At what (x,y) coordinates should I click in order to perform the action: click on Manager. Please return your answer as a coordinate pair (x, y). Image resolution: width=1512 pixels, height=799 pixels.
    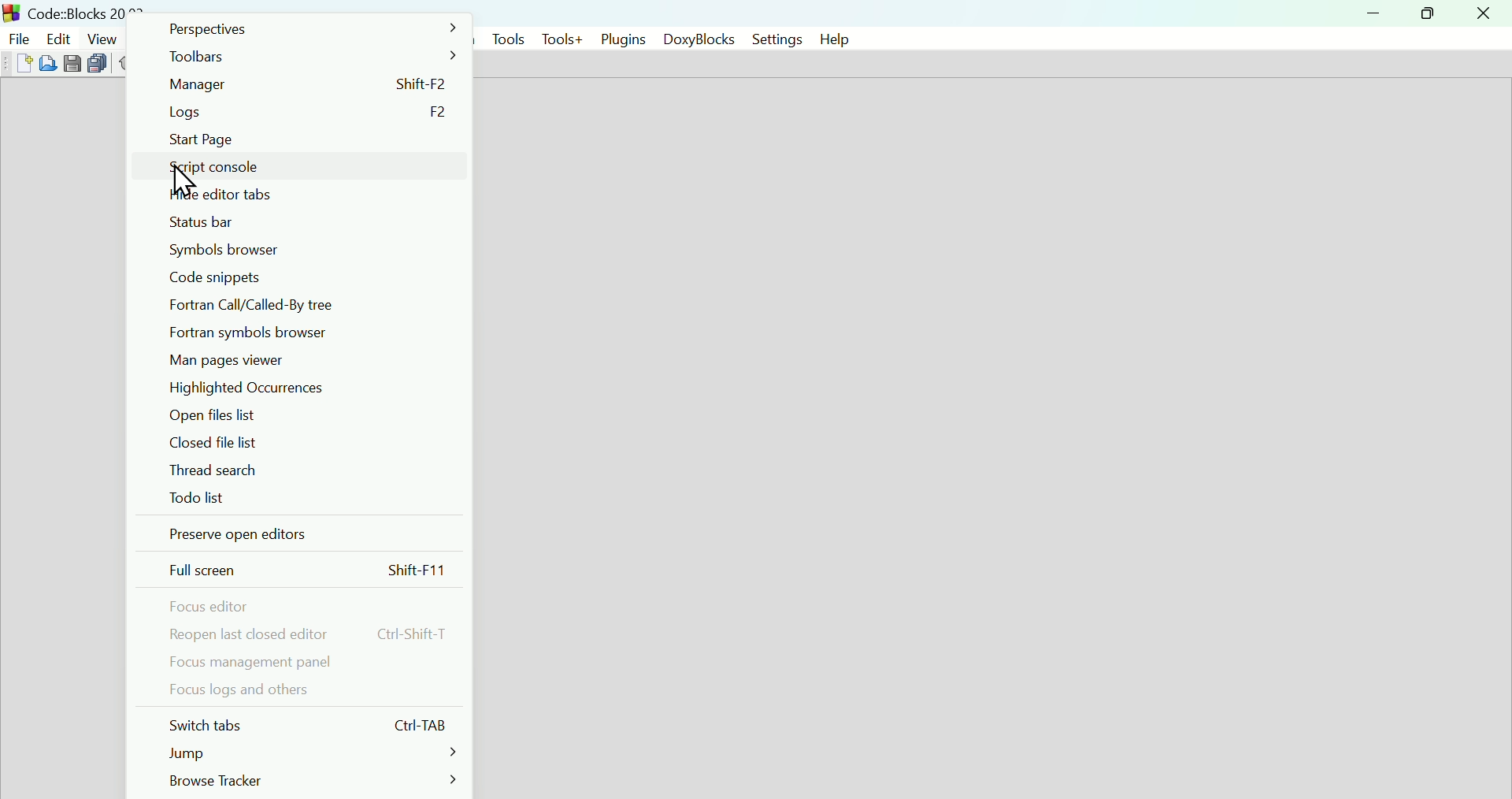
    Looking at the image, I should click on (308, 84).